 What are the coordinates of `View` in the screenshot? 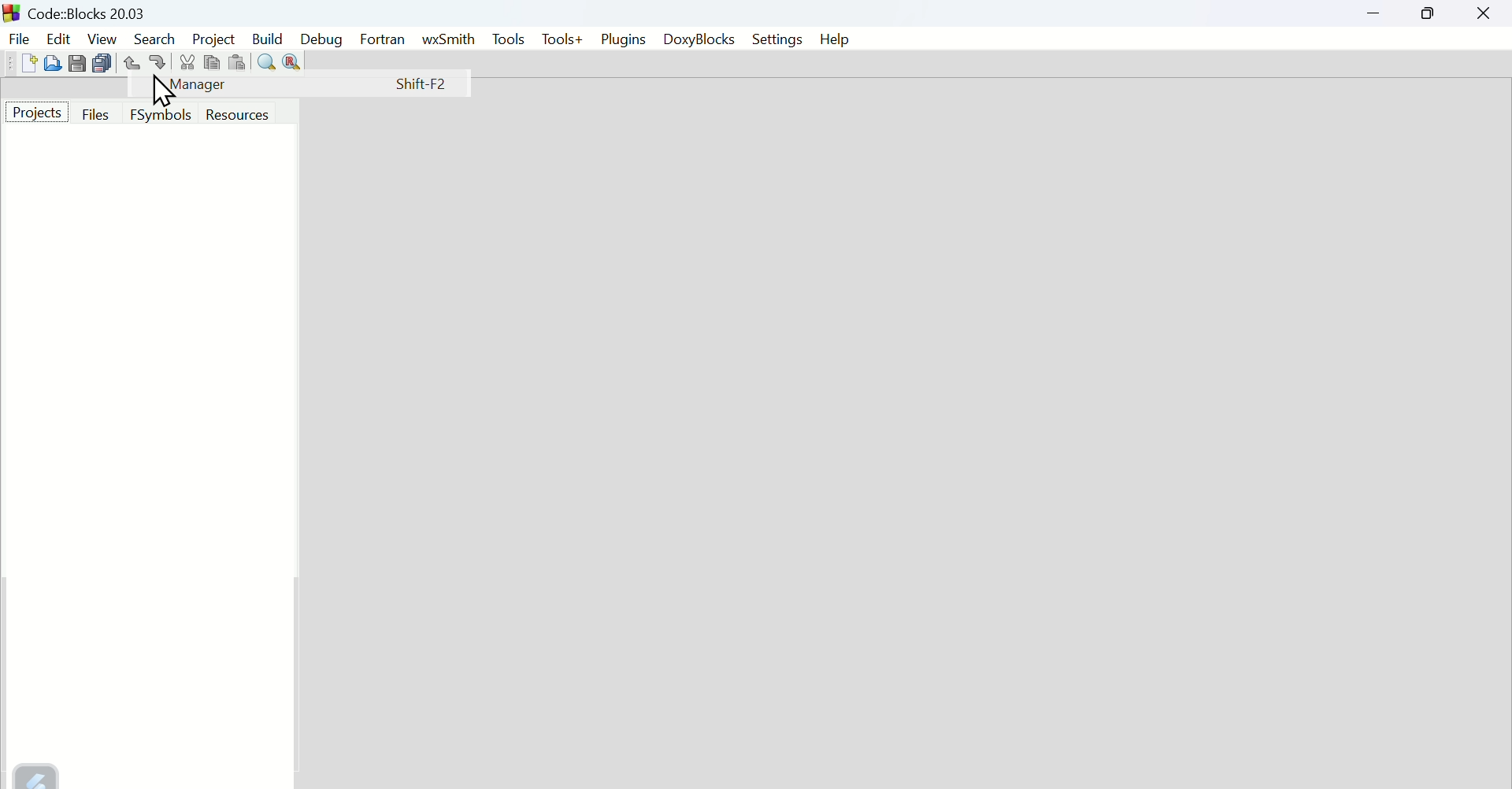 It's located at (103, 38).